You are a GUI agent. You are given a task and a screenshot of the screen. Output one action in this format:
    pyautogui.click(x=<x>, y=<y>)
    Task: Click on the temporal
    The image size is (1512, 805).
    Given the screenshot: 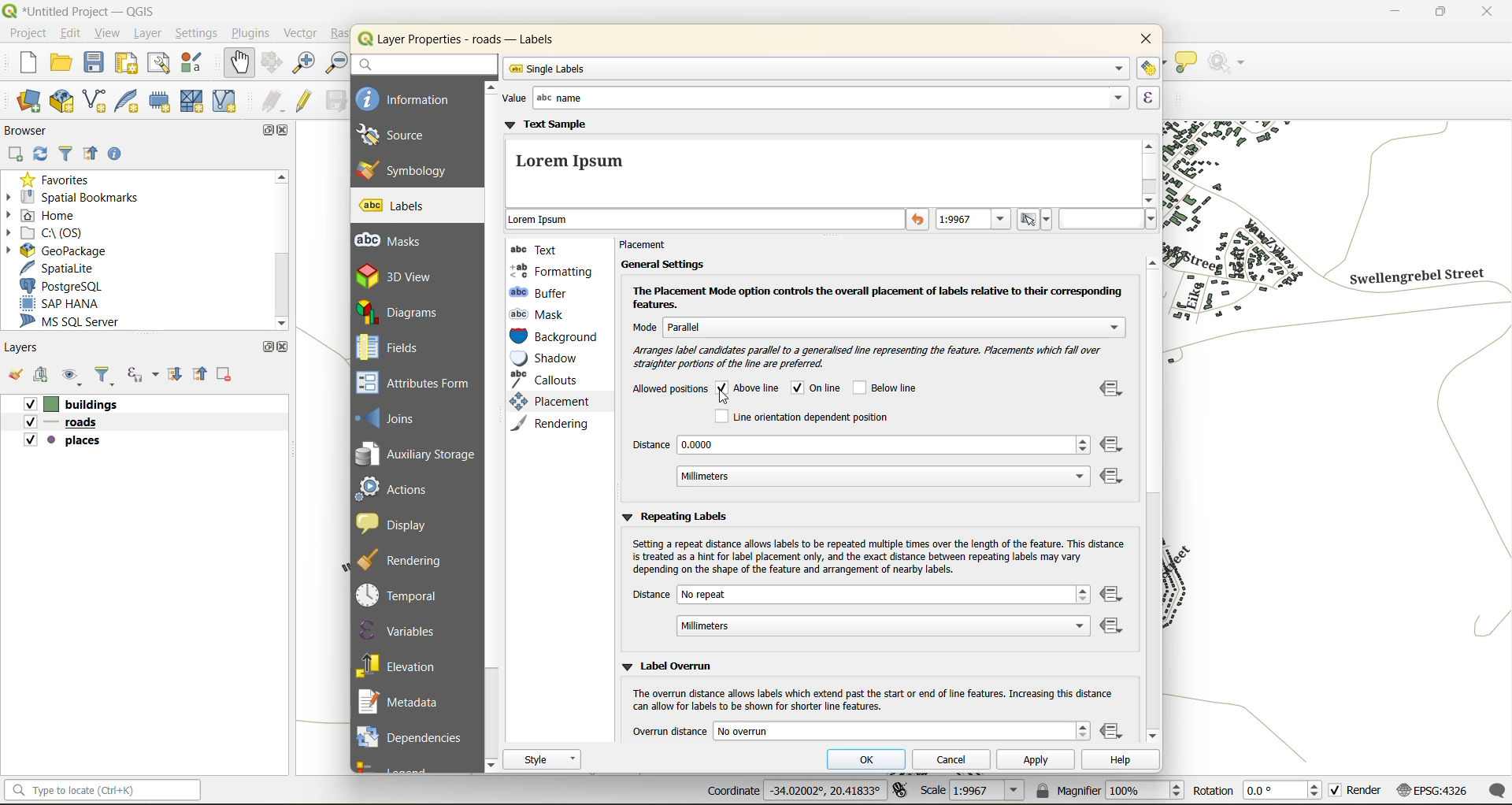 What is the action you would take?
    pyautogui.click(x=402, y=595)
    